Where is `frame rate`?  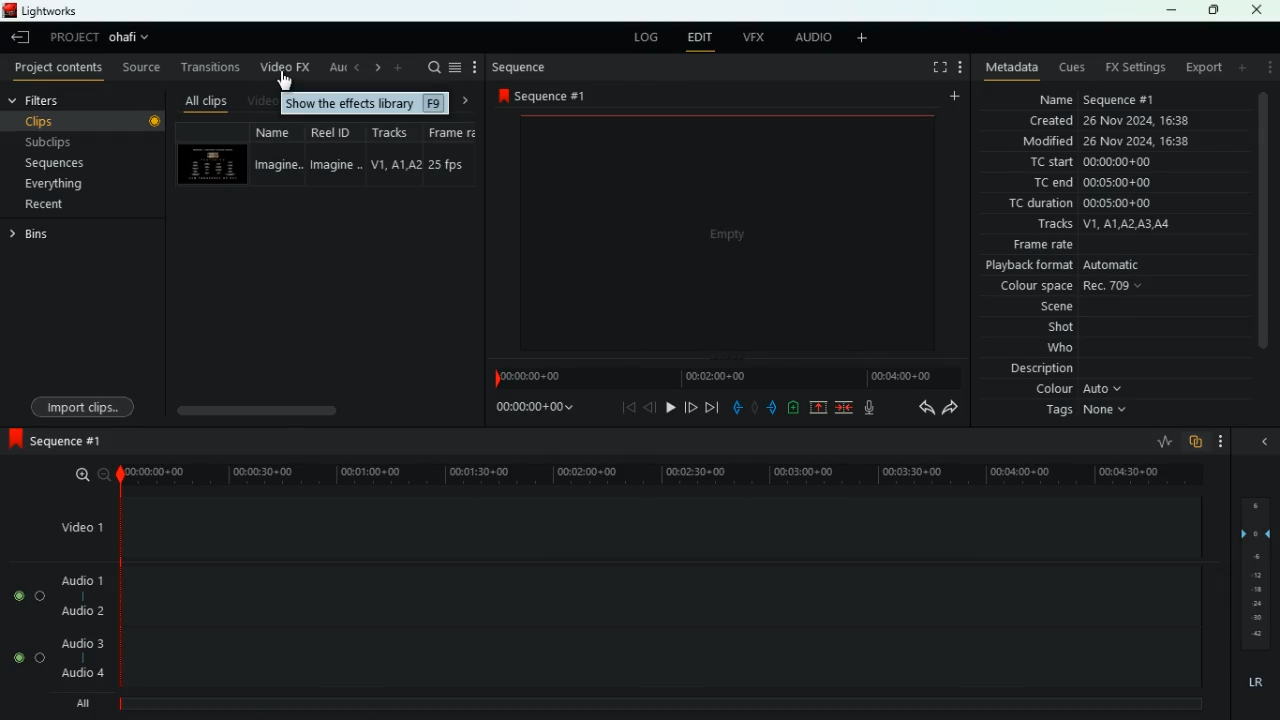 frame rate is located at coordinates (459, 155).